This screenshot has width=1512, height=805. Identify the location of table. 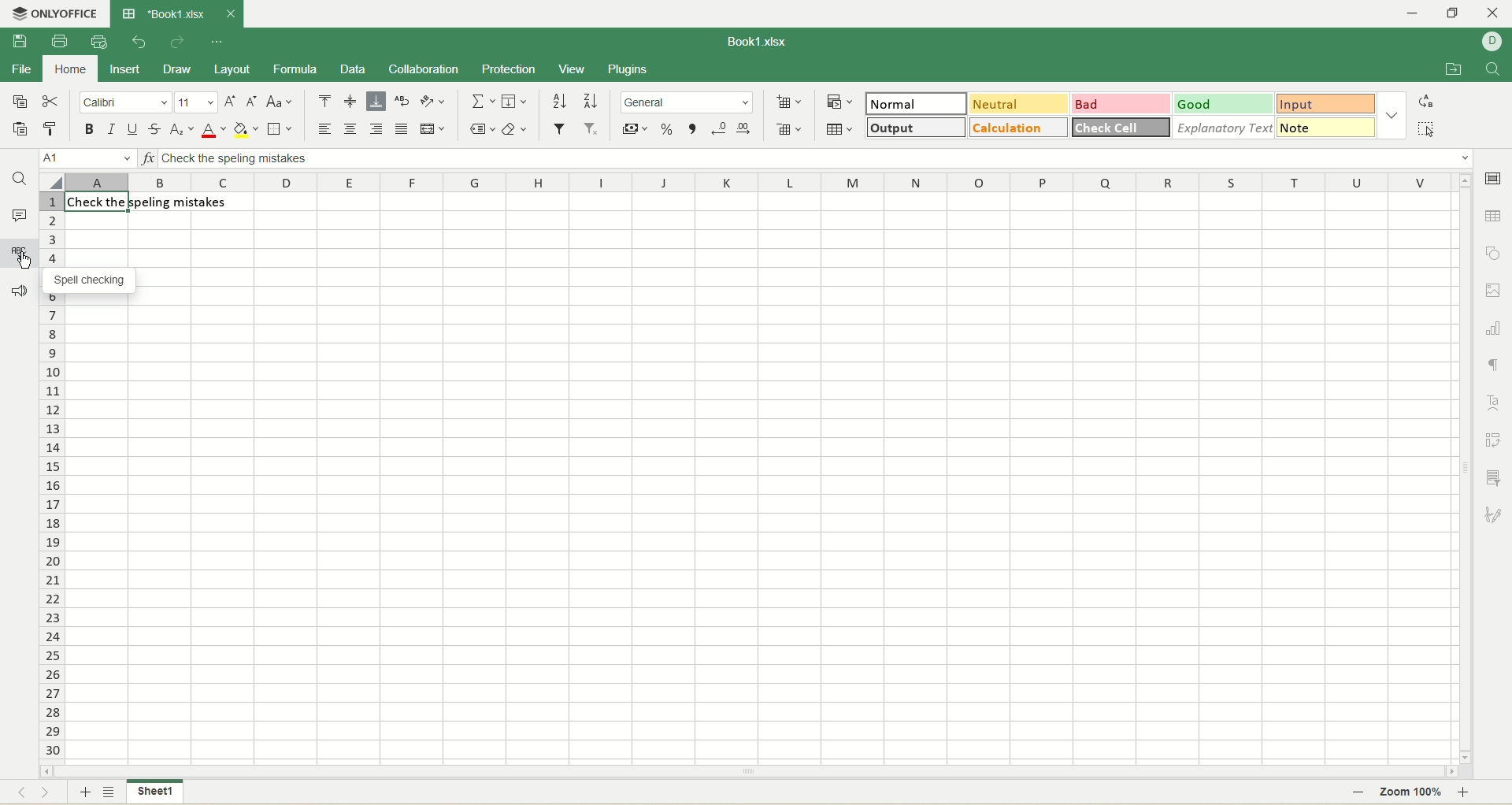
(840, 128).